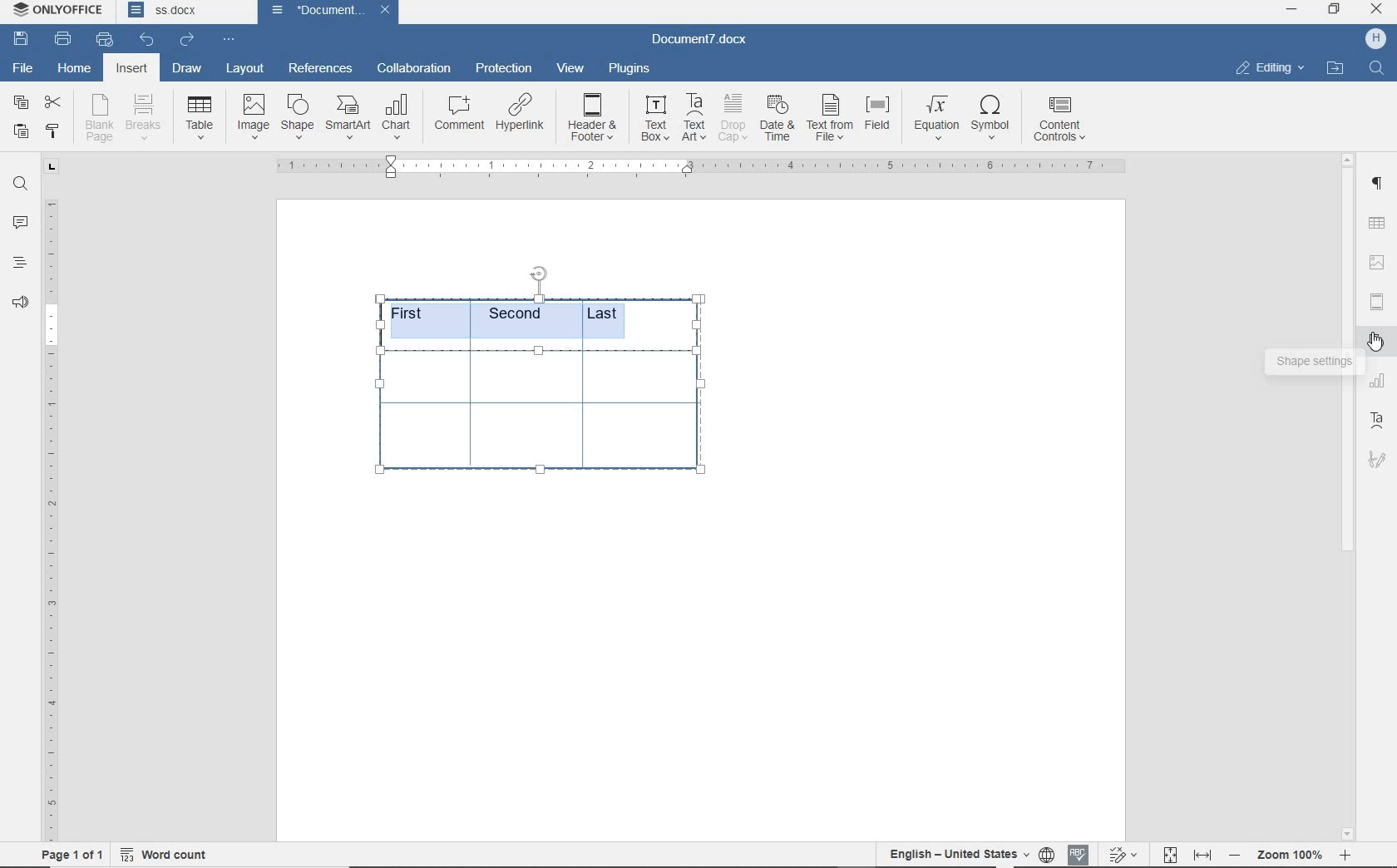  I want to click on print, so click(63, 38).